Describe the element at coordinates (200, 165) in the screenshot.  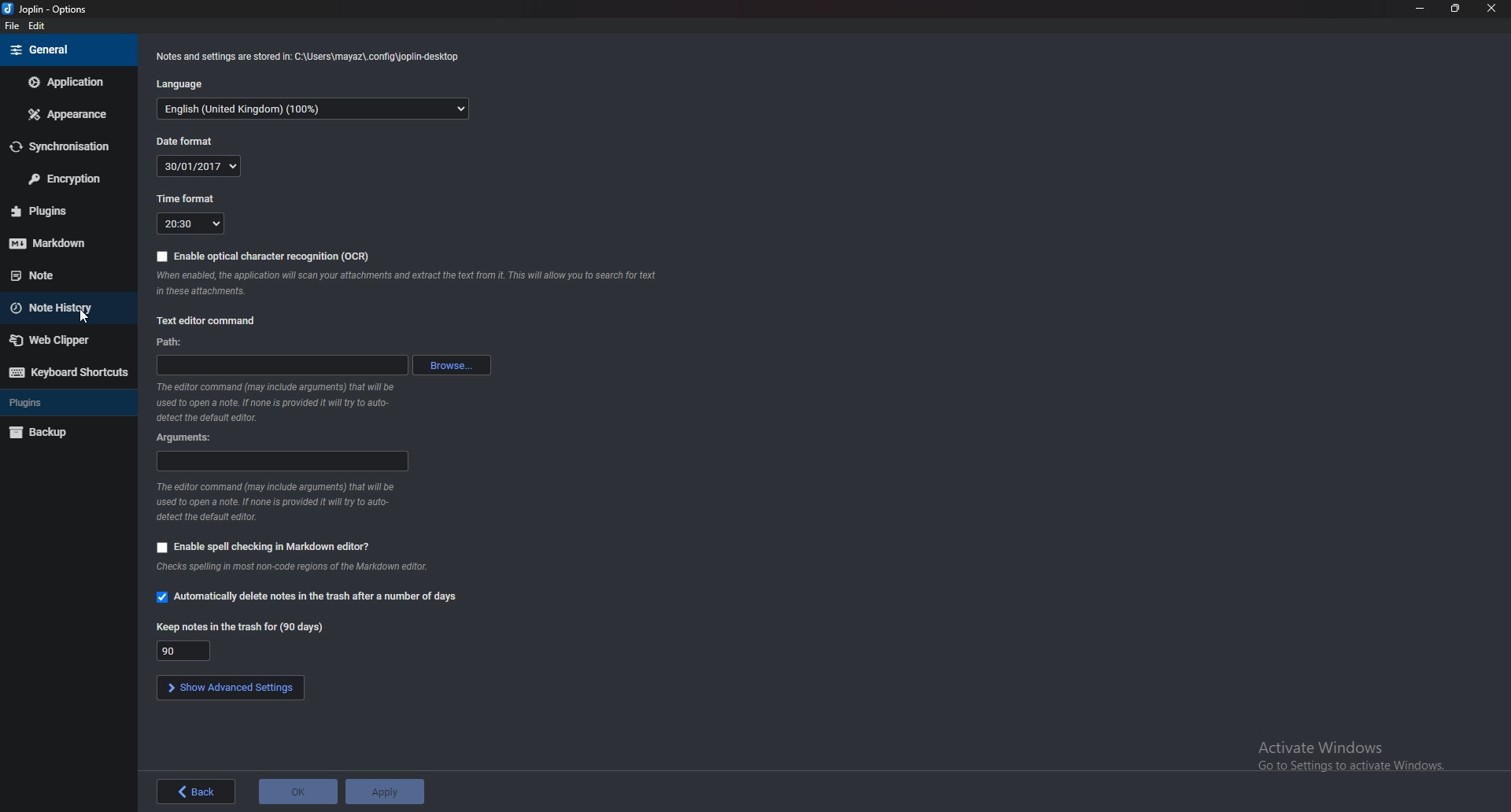
I see `Date format` at that location.